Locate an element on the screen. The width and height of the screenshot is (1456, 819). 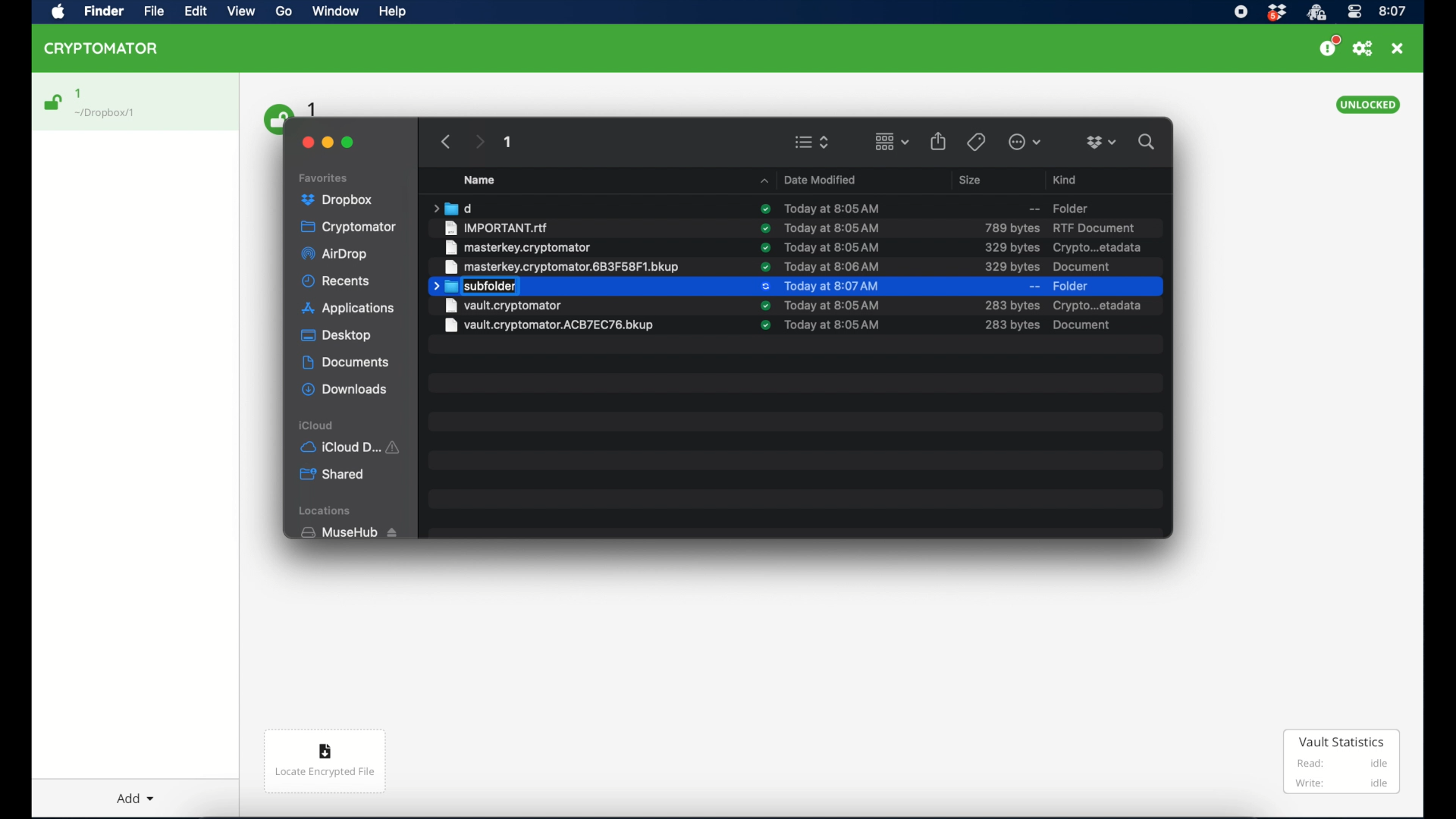
crypto is located at coordinates (1055, 328).